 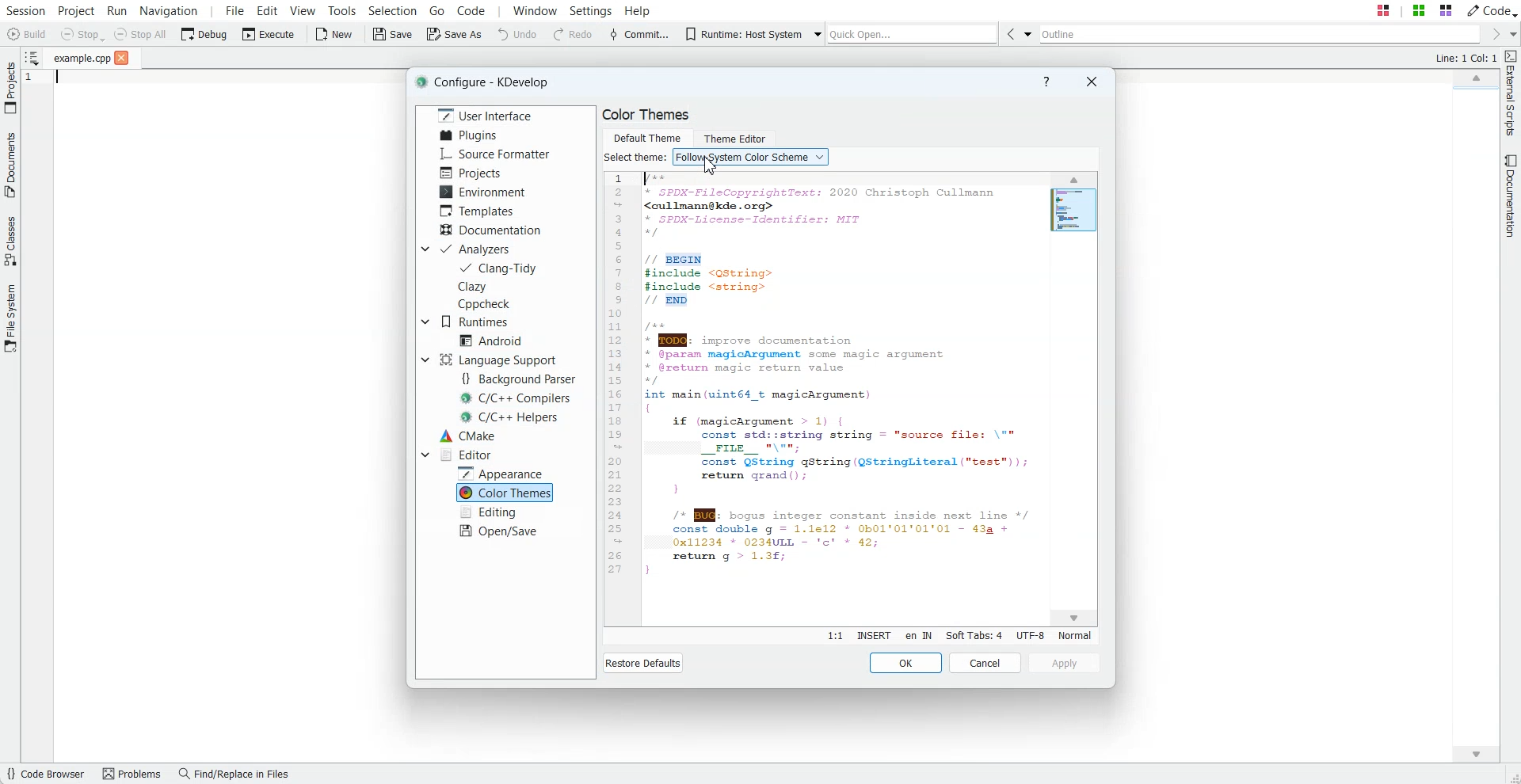 What do you see at coordinates (635, 158) in the screenshot?
I see `Text` at bounding box center [635, 158].